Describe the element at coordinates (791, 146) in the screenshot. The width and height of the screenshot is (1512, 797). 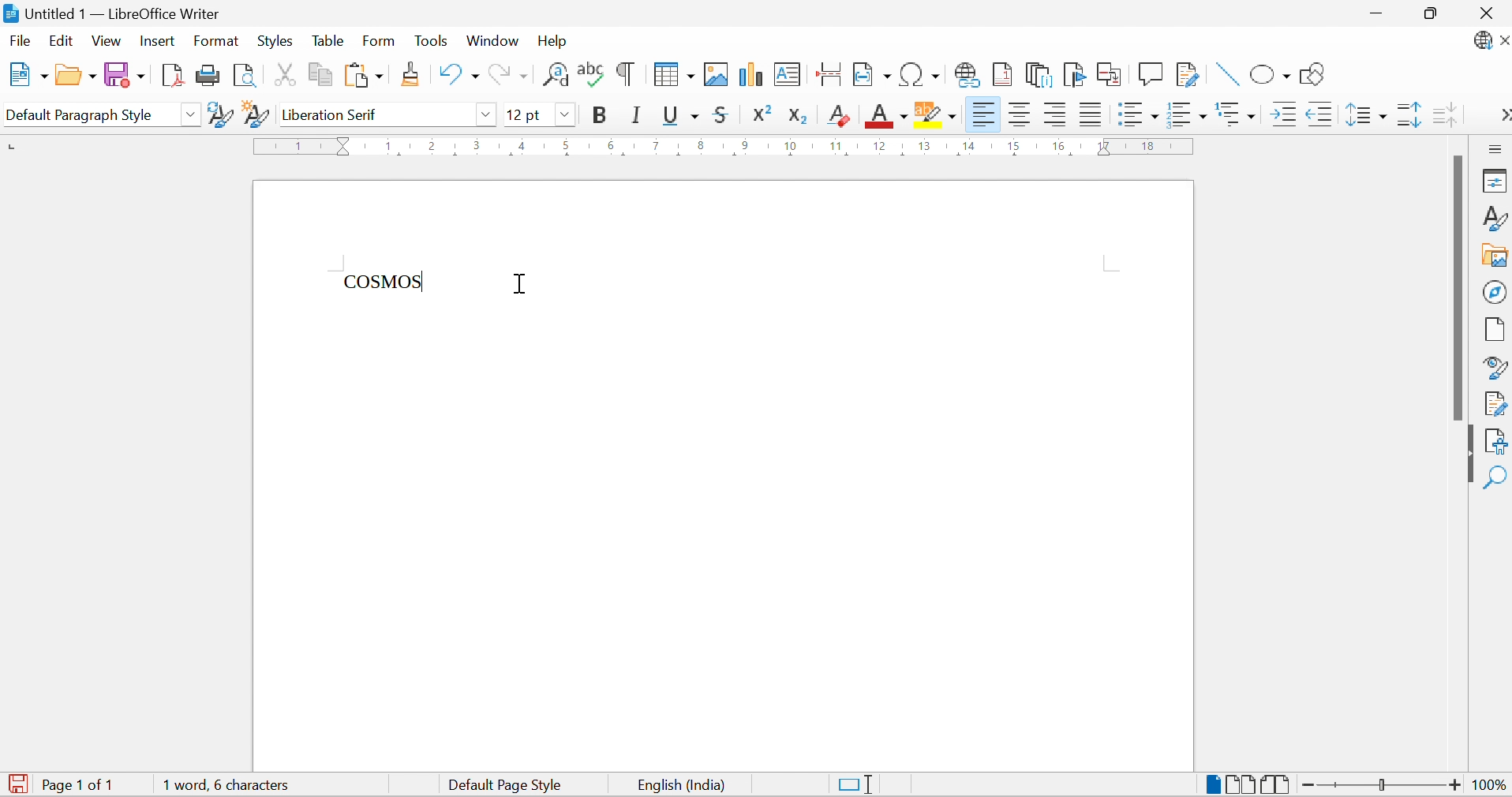
I see `10` at that location.